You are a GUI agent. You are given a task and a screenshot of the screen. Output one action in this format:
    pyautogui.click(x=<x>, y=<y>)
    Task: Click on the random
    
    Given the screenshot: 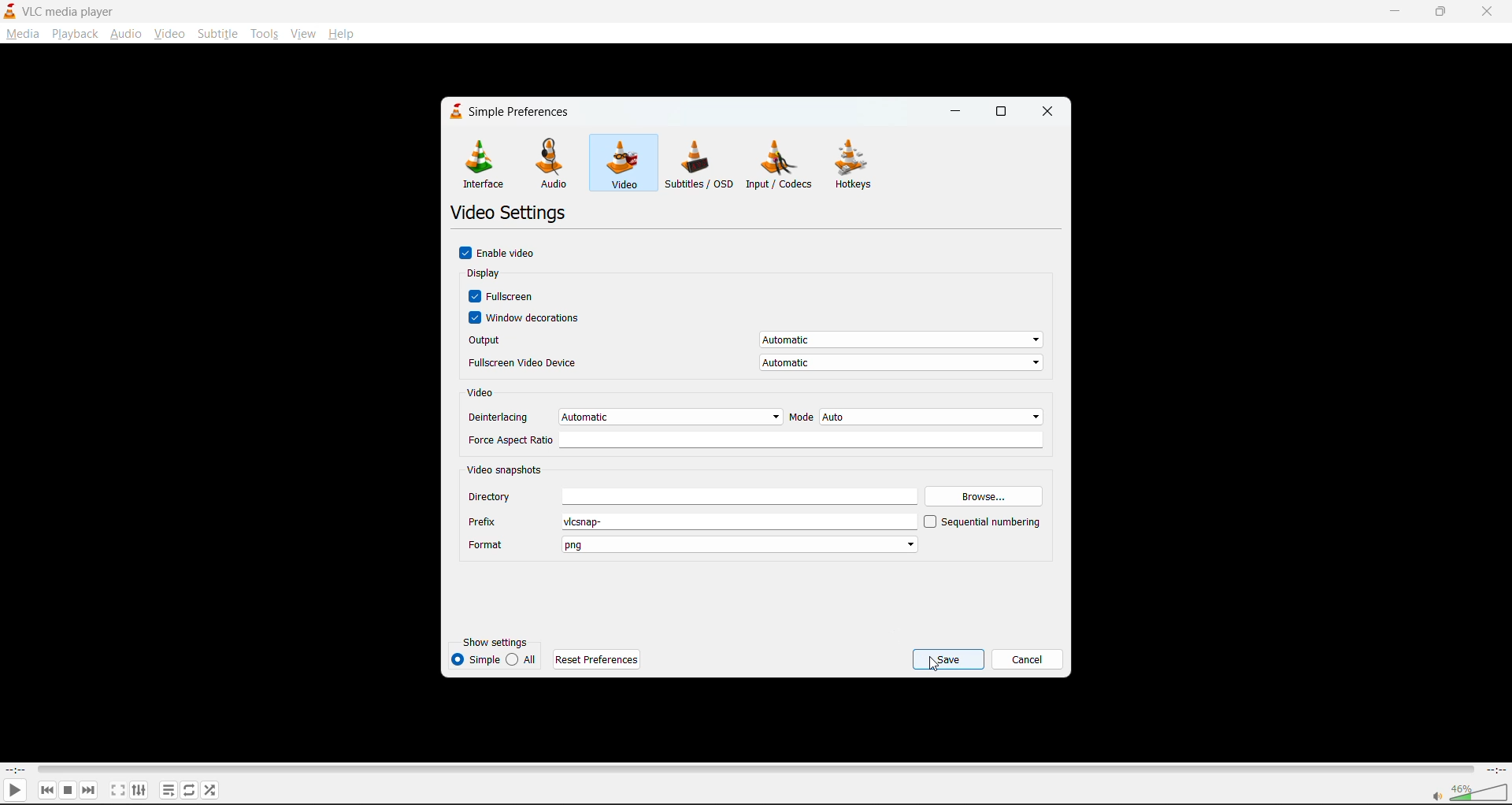 What is the action you would take?
    pyautogui.click(x=212, y=792)
    